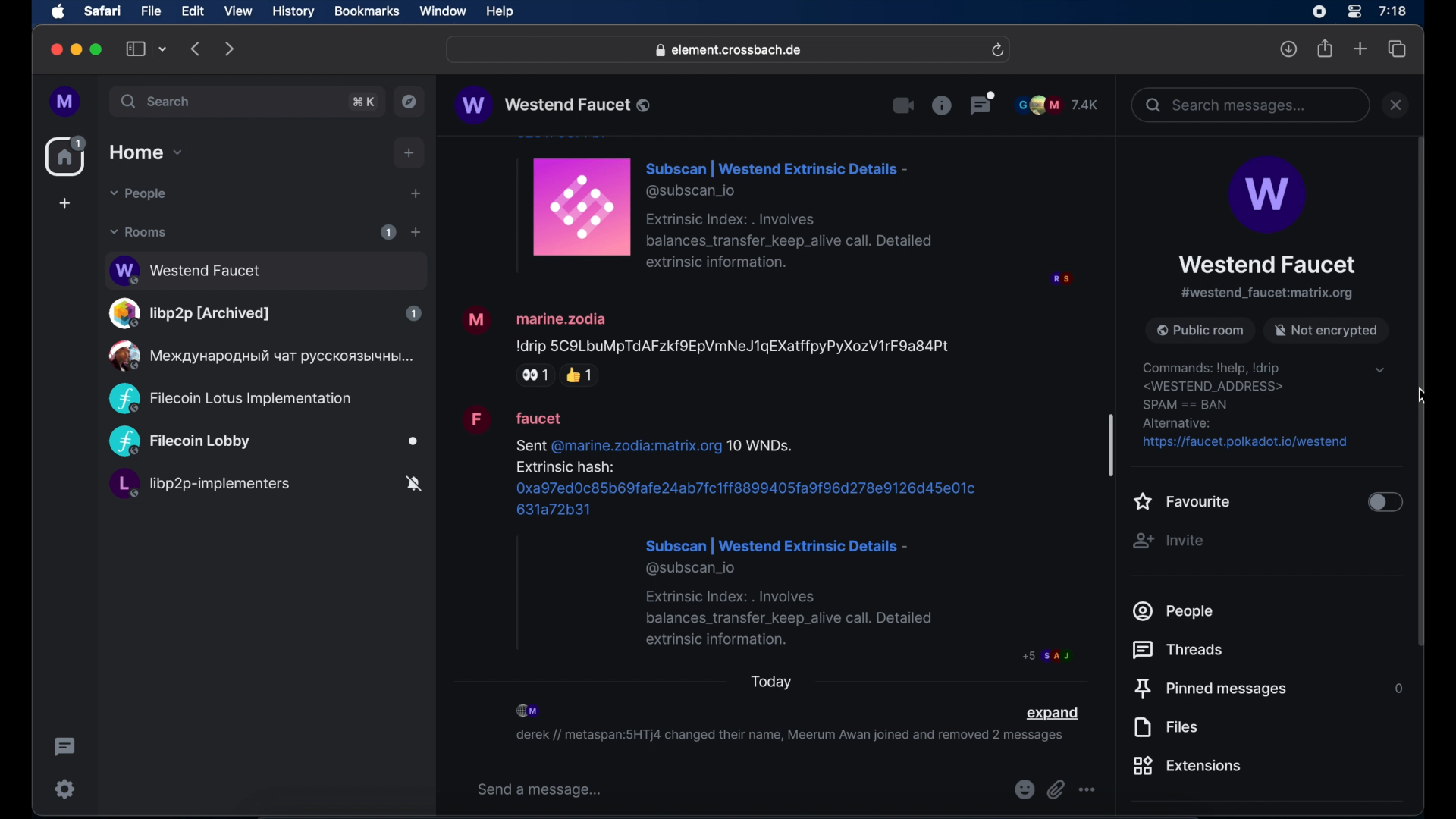 This screenshot has height=819, width=1456. What do you see at coordinates (1421, 391) in the screenshot?
I see `scroll bar` at bounding box center [1421, 391].